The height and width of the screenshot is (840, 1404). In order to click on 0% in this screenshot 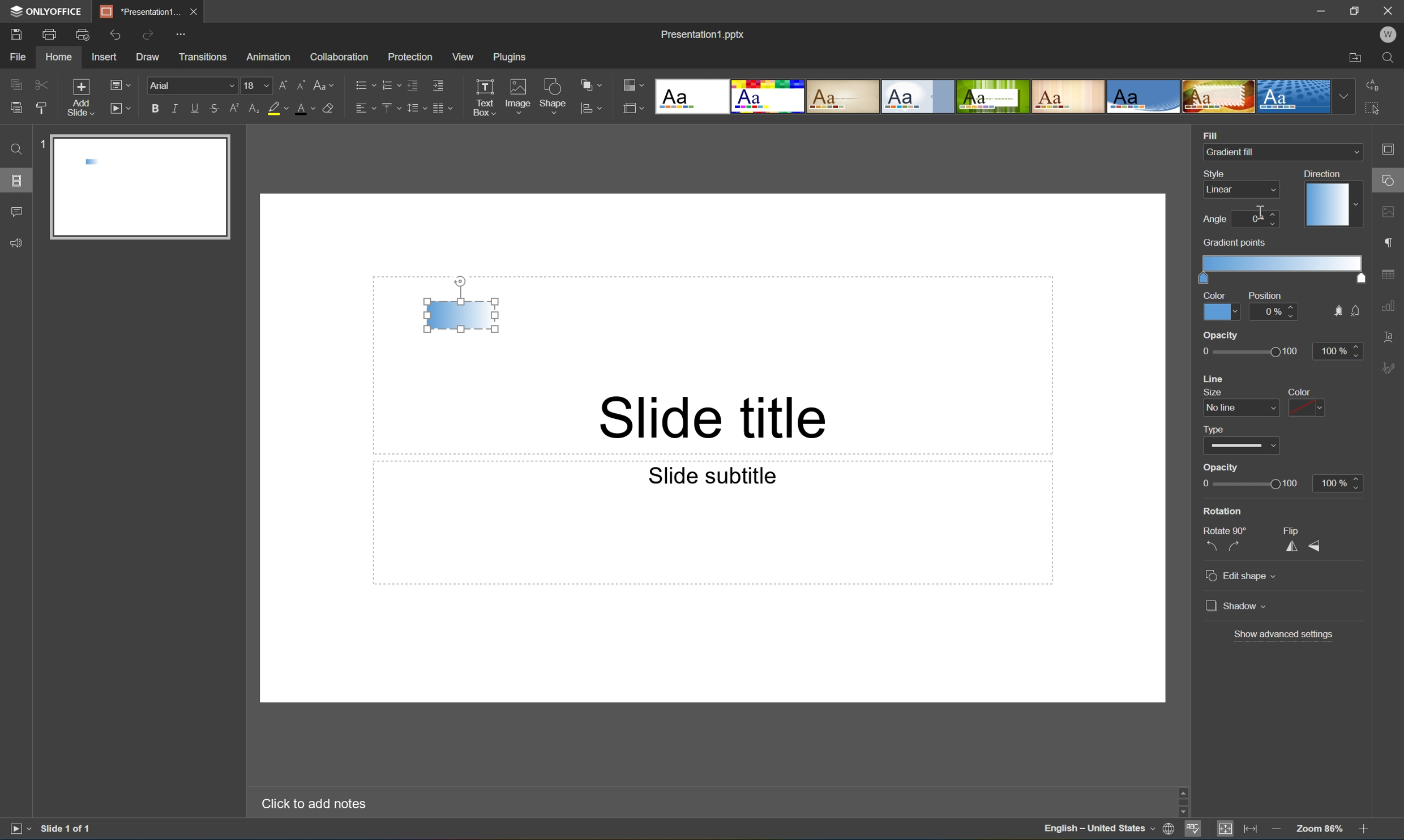, I will do `click(1275, 311)`.